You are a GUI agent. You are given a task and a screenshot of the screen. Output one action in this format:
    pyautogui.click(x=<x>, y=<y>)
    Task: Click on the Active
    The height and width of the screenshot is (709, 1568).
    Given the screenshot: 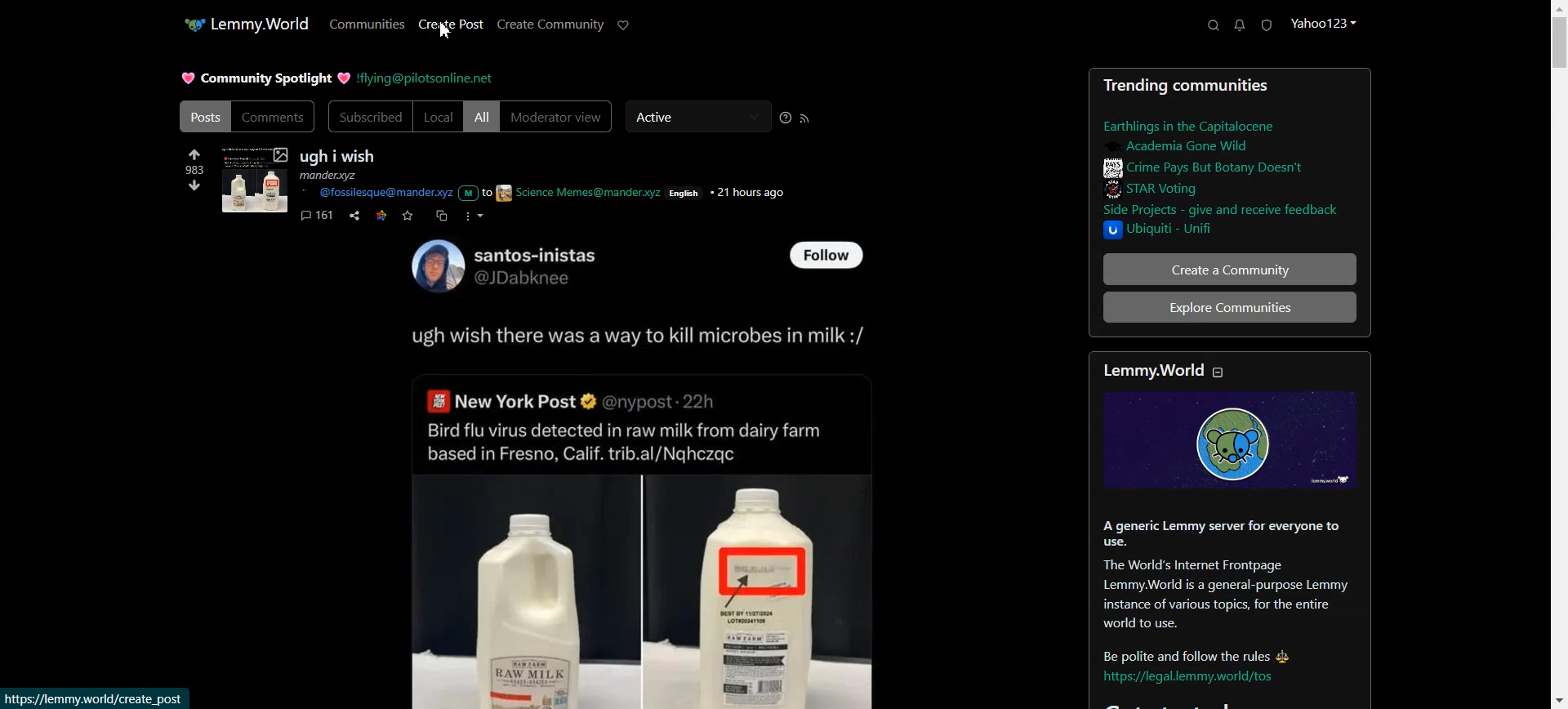 What is the action you would take?
    pyautogui.click(x=694, y=116)
    